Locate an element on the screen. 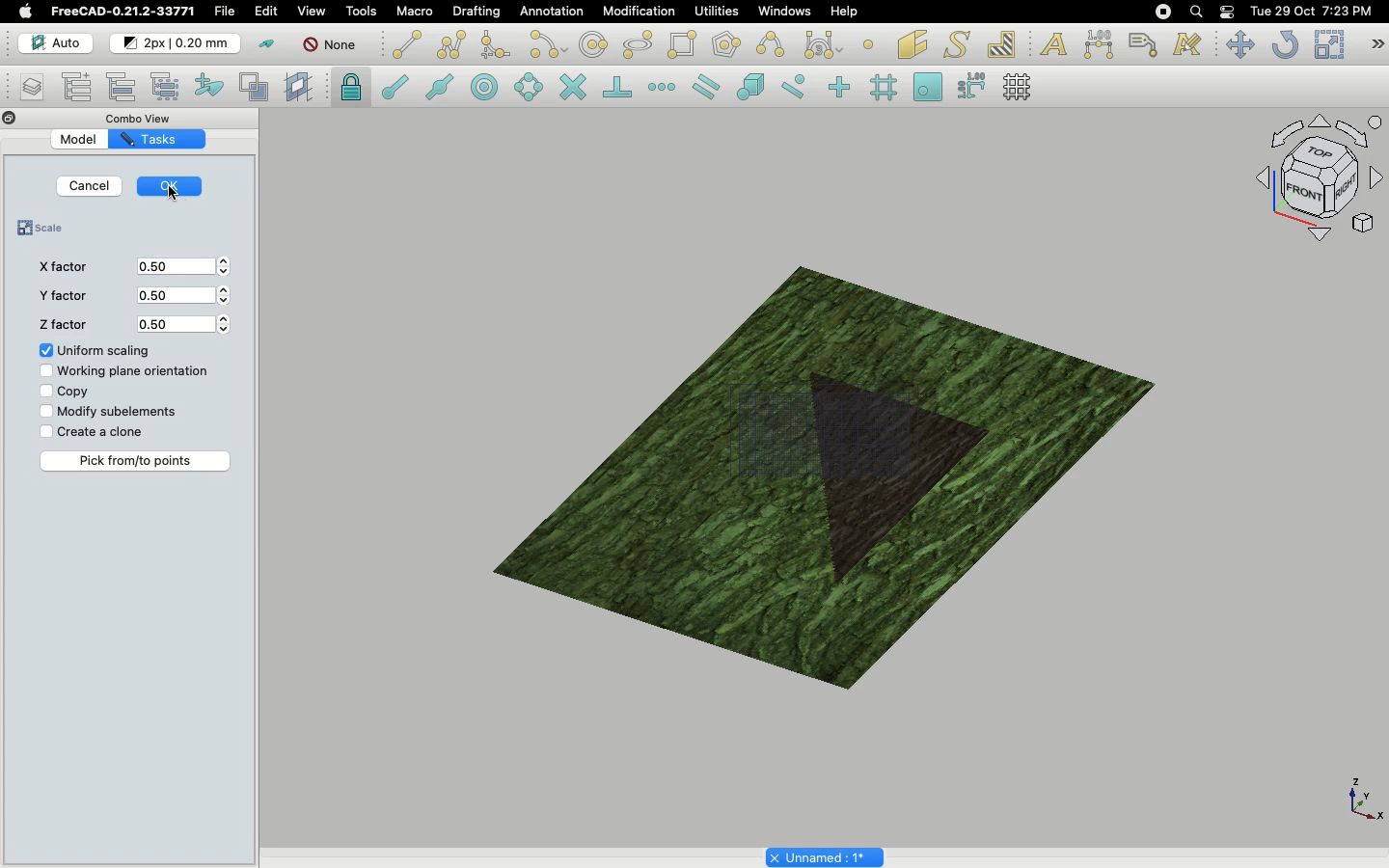 This screenshot has height=868, width=1389. O.5 is located at coordinates (184, 267).